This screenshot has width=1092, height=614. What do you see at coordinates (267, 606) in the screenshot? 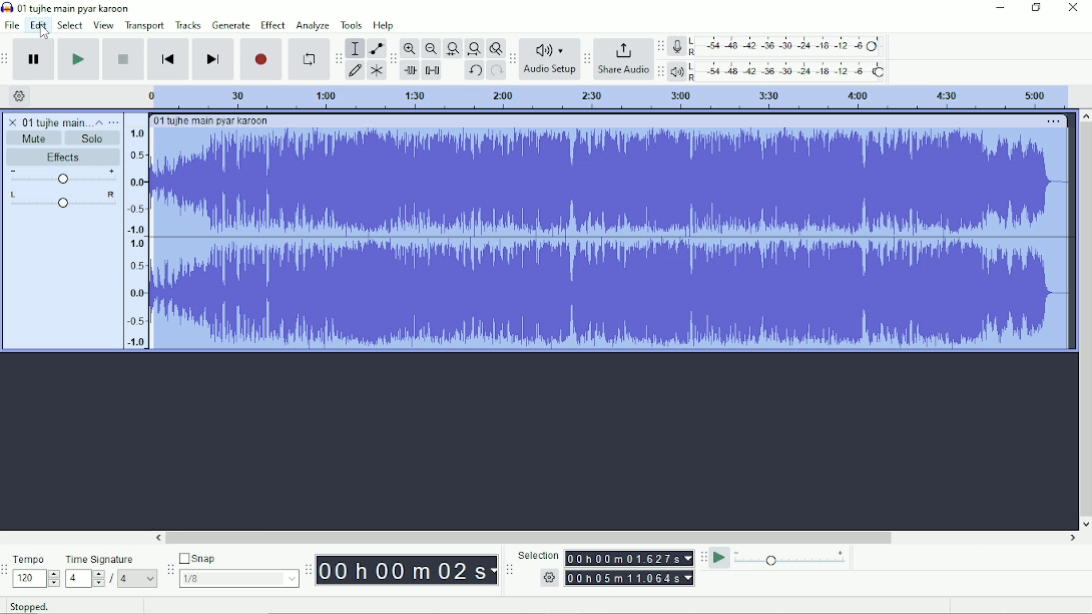
I see `Click and drag to select audio` at bounding box center [267, 606].